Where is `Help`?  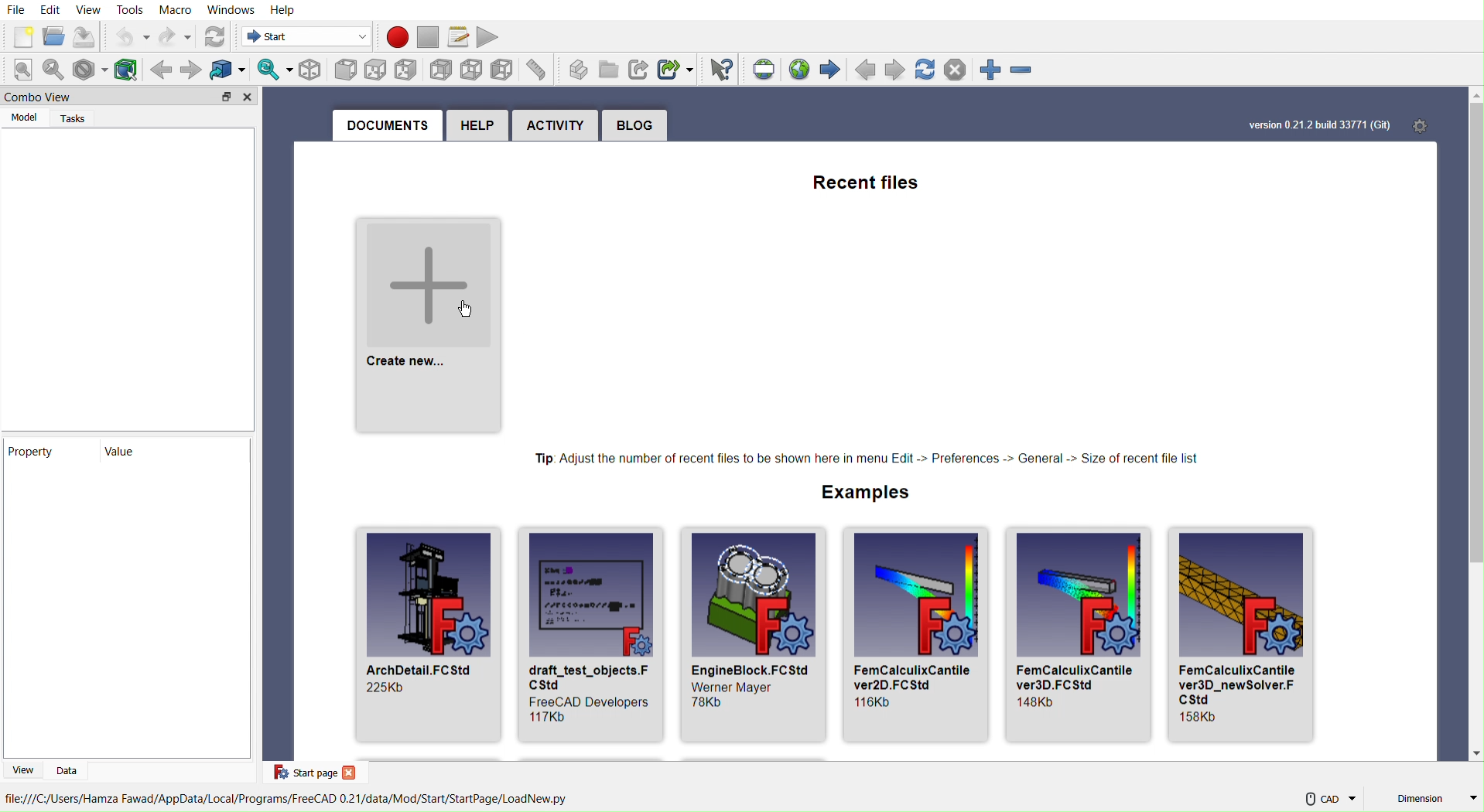 Help is located at coordinates (283, 10).